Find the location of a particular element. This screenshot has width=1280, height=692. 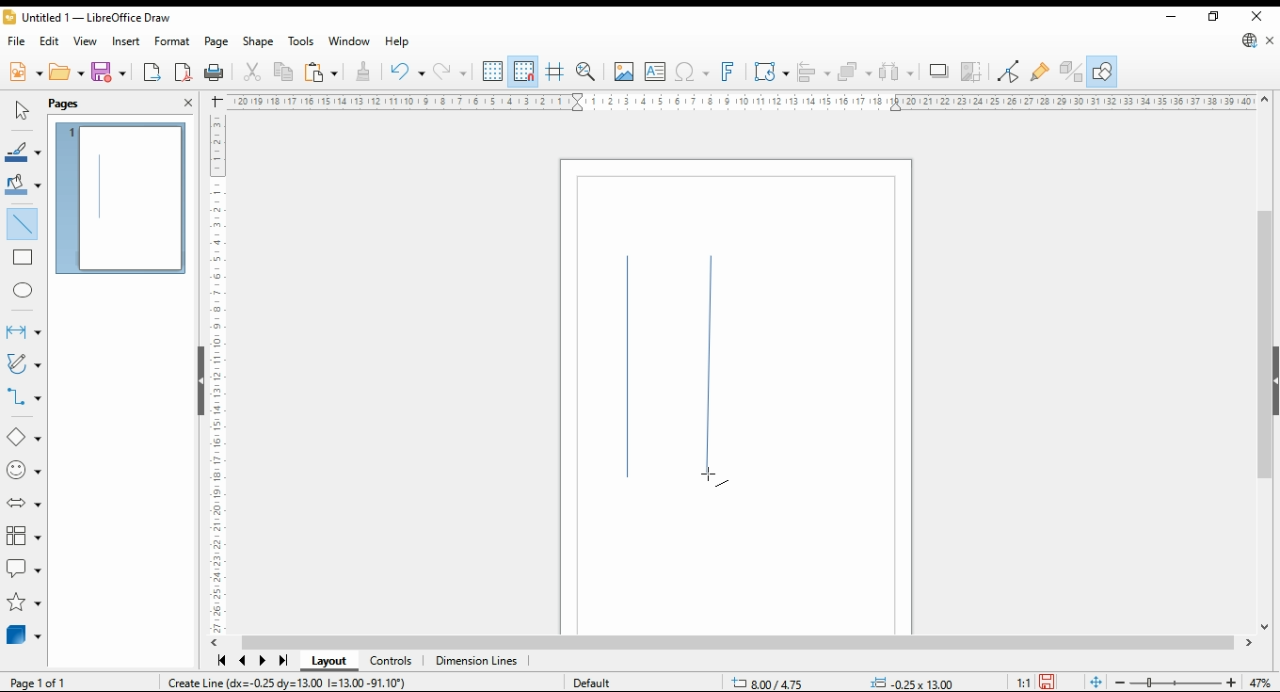

save is located at coordinates (1047, 682).